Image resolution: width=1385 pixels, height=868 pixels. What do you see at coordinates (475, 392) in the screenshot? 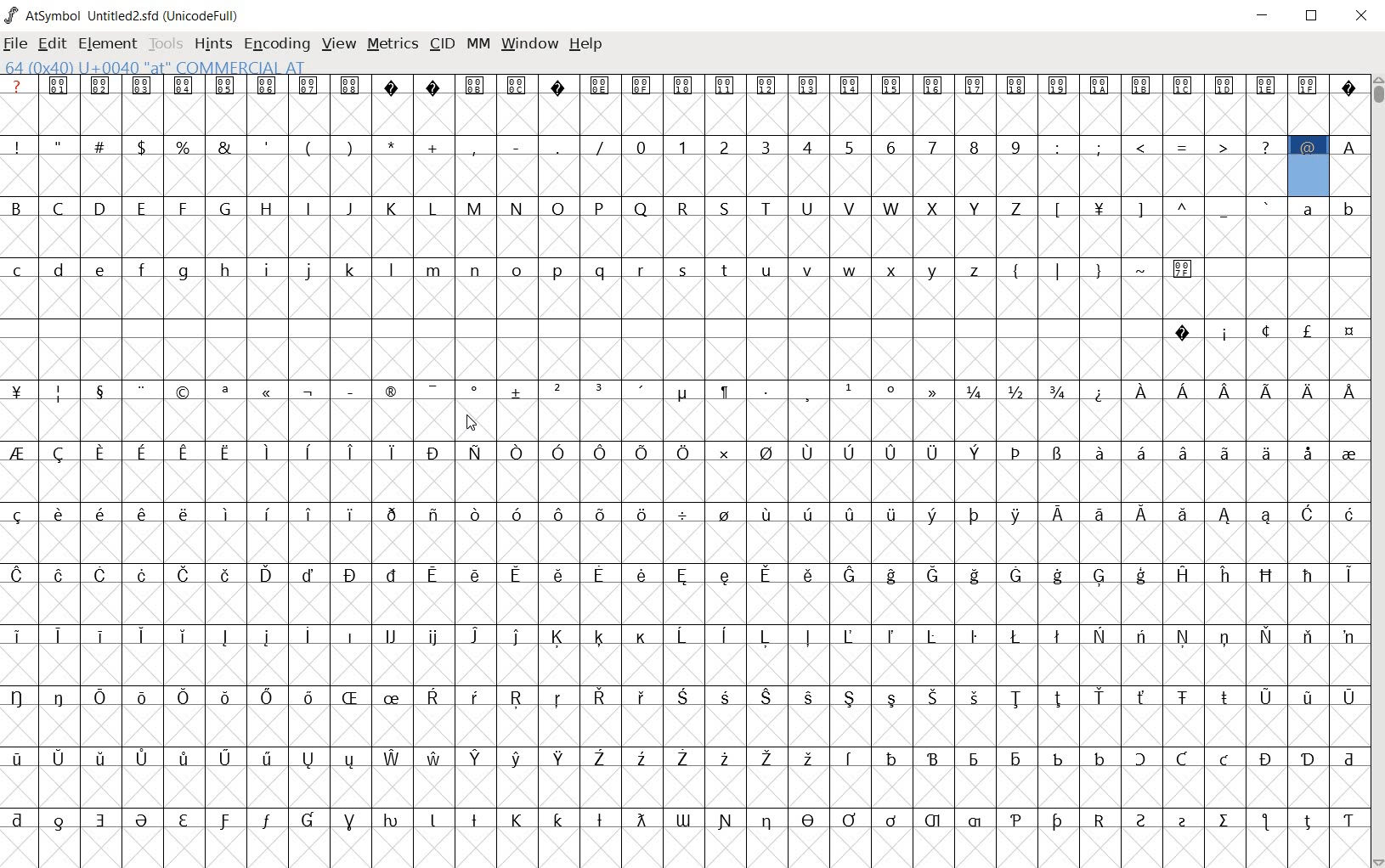
I see `special characters` at bounding box center [475, 392].